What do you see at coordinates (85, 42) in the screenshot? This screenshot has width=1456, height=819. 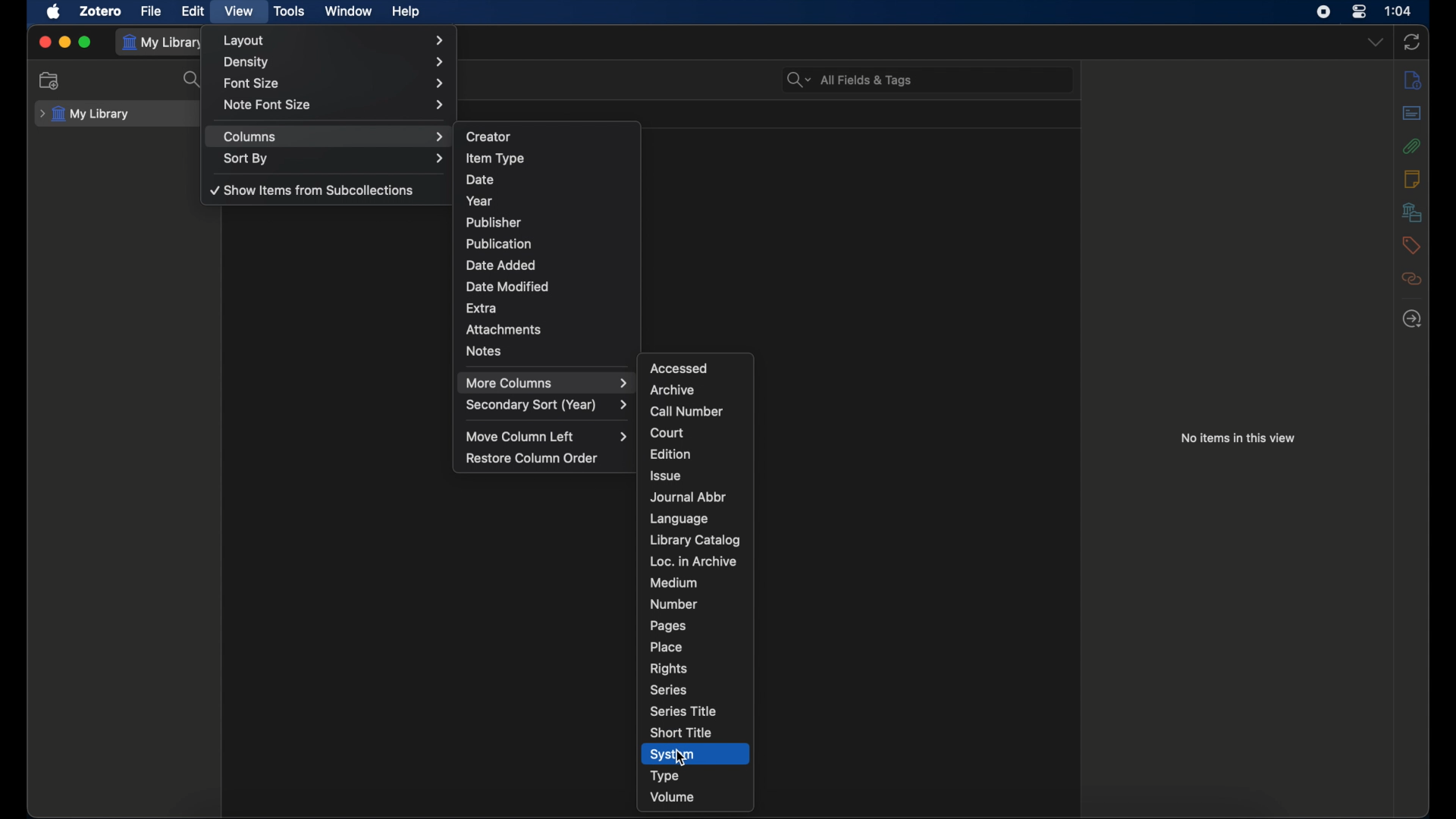 I see `maximize` at bounding box center [85, 42].